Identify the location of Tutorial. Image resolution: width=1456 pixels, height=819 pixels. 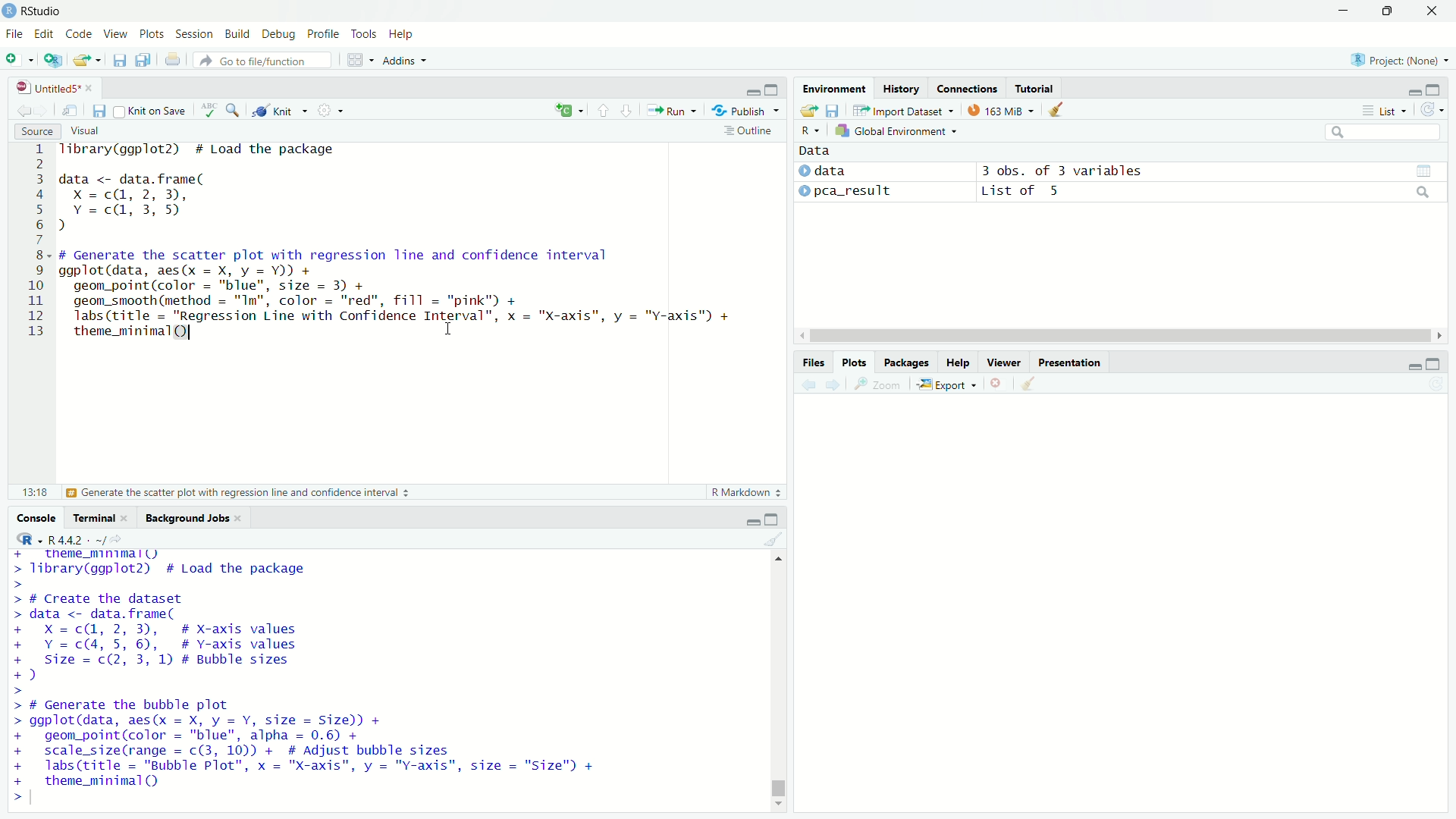
(1034, 88).